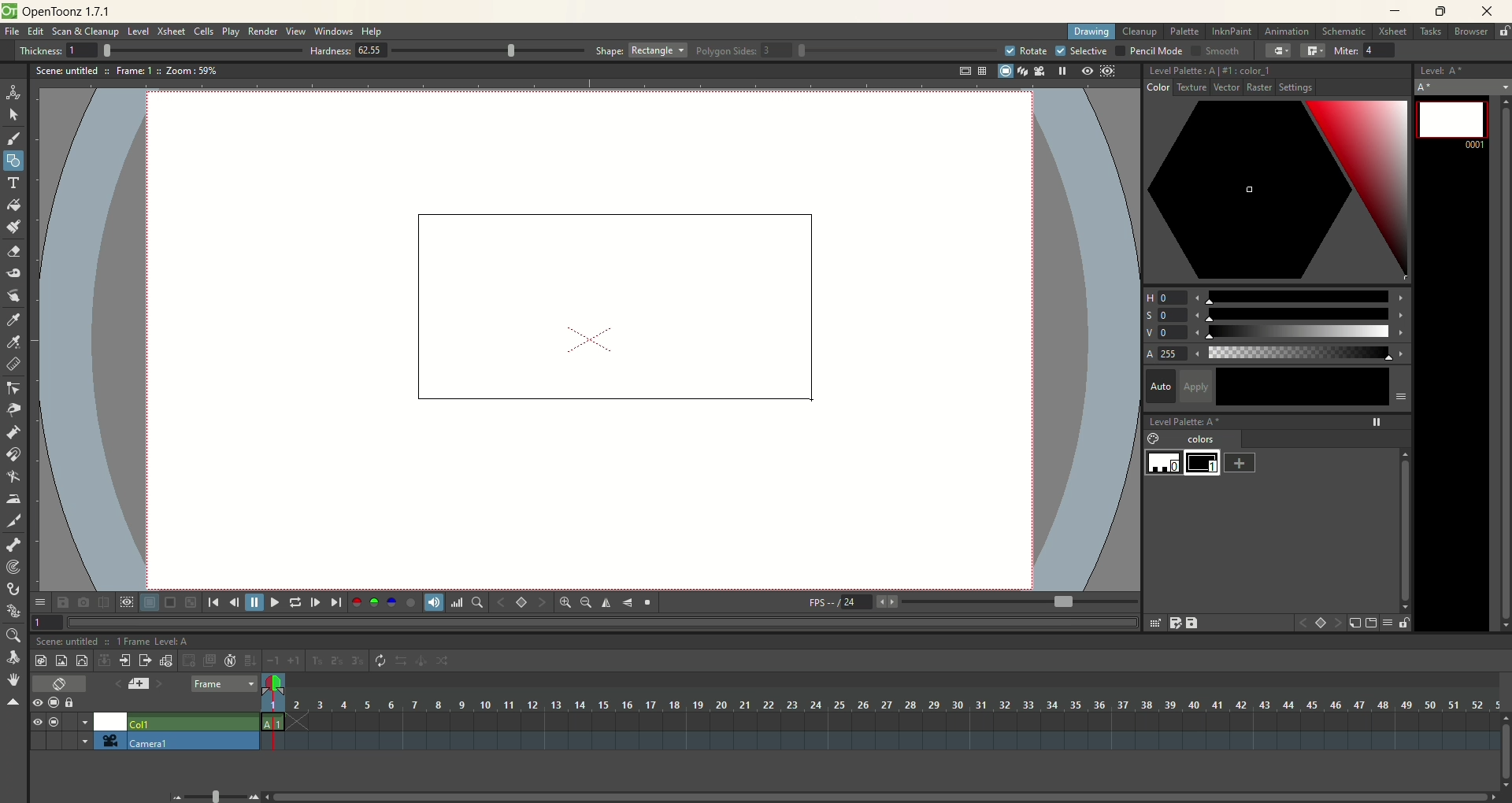 Image resolution: width=1512 pixels, height=803 pixels. What do you see at coordinates (410, 601) in the screenshot?
I see `alpha channel` at bounding box center [410, 601].